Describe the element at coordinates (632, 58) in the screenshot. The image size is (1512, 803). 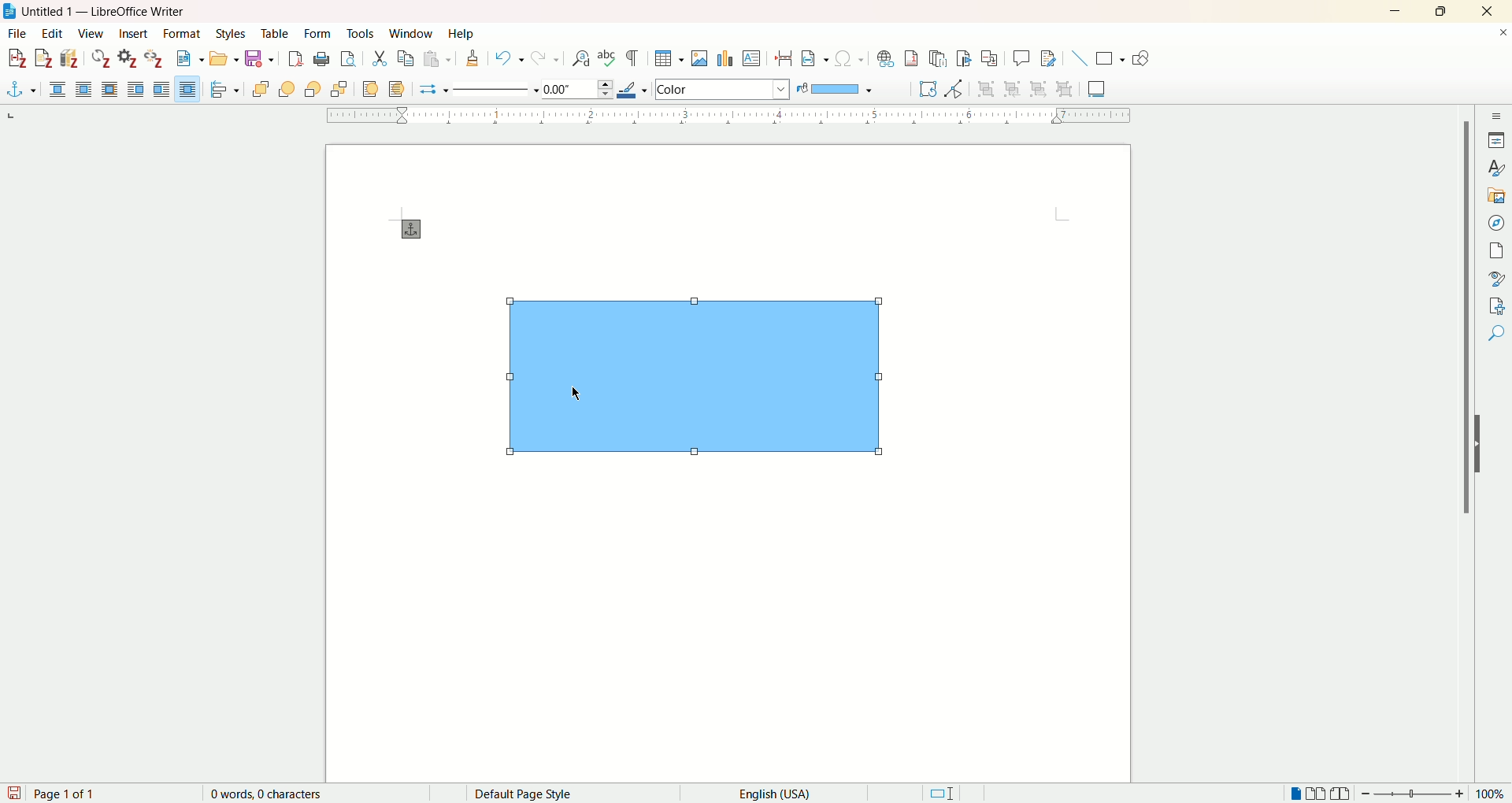
I see `toggle formatting` at that location.